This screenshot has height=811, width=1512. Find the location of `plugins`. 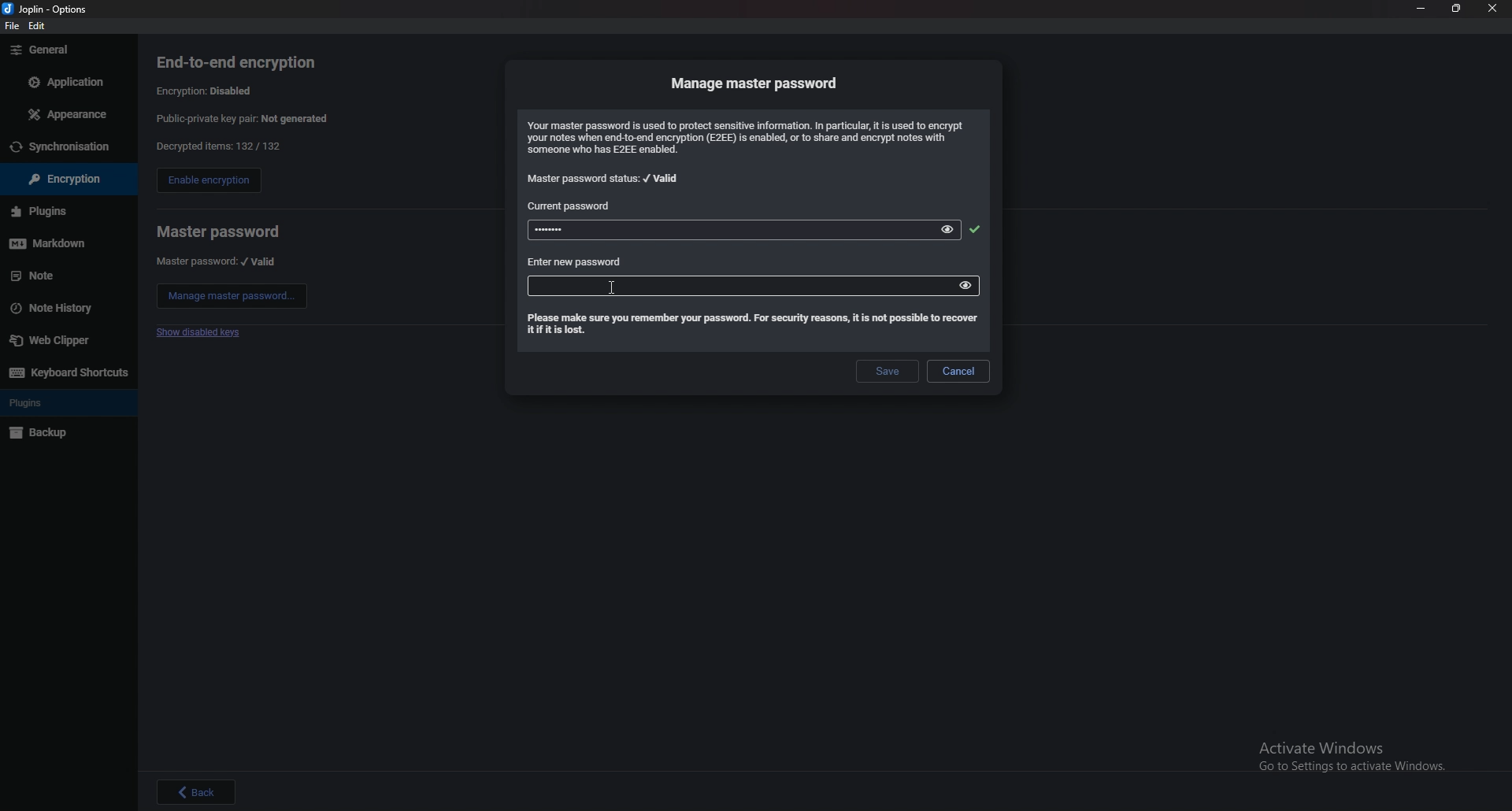

plugins is located at coordinates (61, 211).